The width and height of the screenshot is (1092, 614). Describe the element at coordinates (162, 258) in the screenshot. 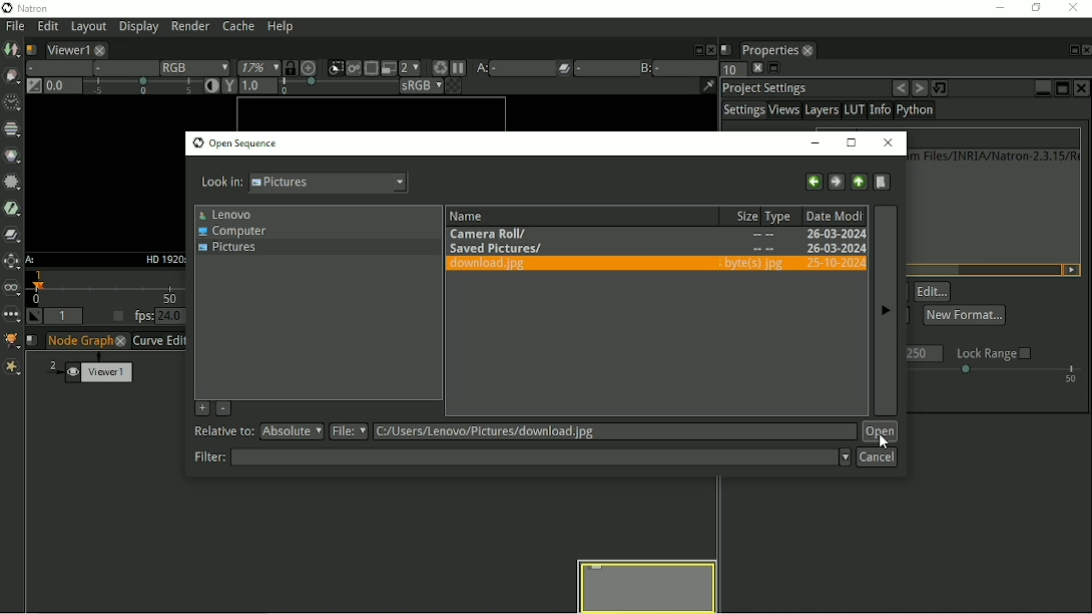

I see `HD` at that location.